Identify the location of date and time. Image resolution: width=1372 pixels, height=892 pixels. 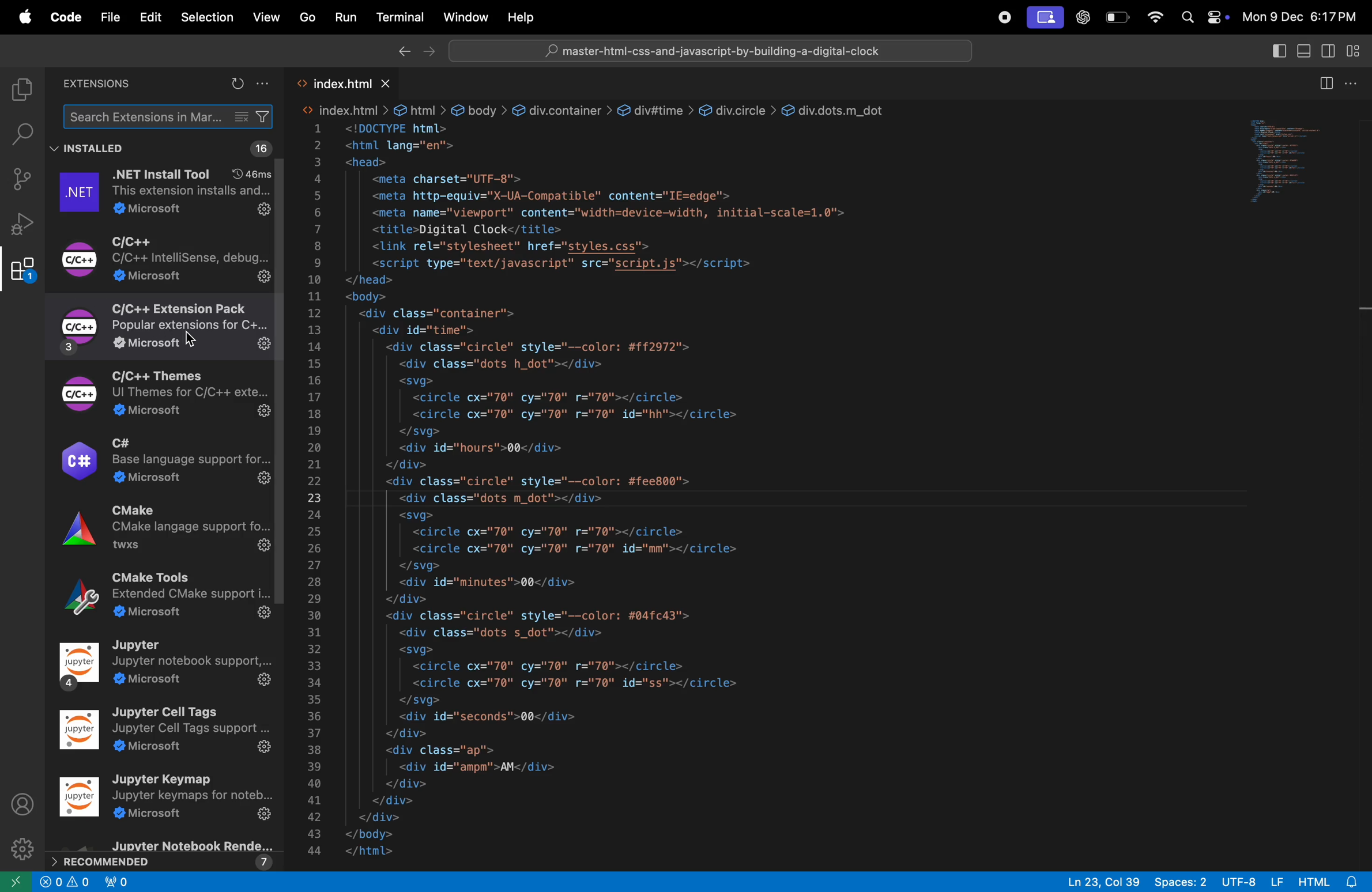
(1301, 17).